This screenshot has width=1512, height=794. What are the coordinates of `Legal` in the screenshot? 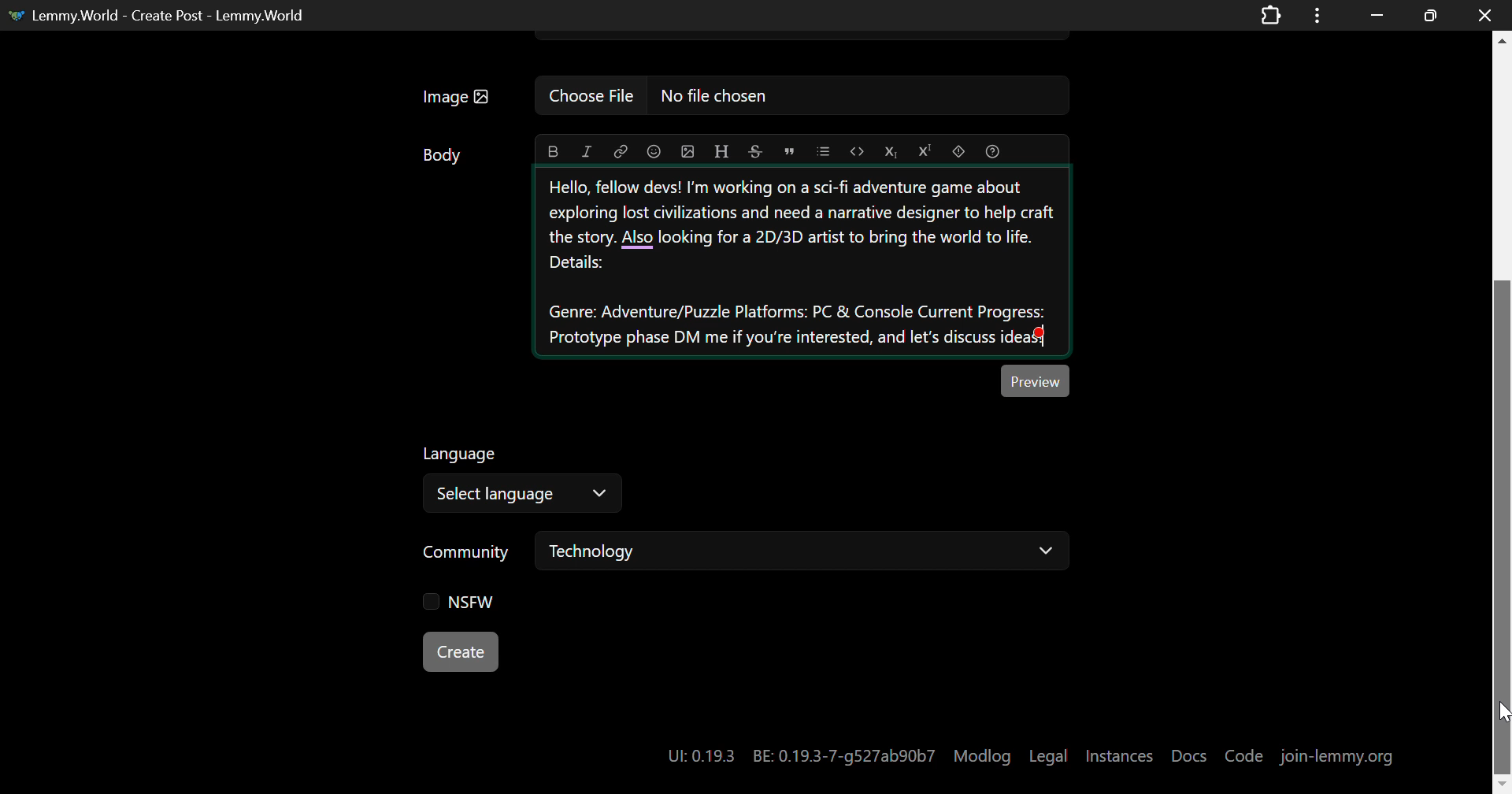 It's located at (1051, 752).